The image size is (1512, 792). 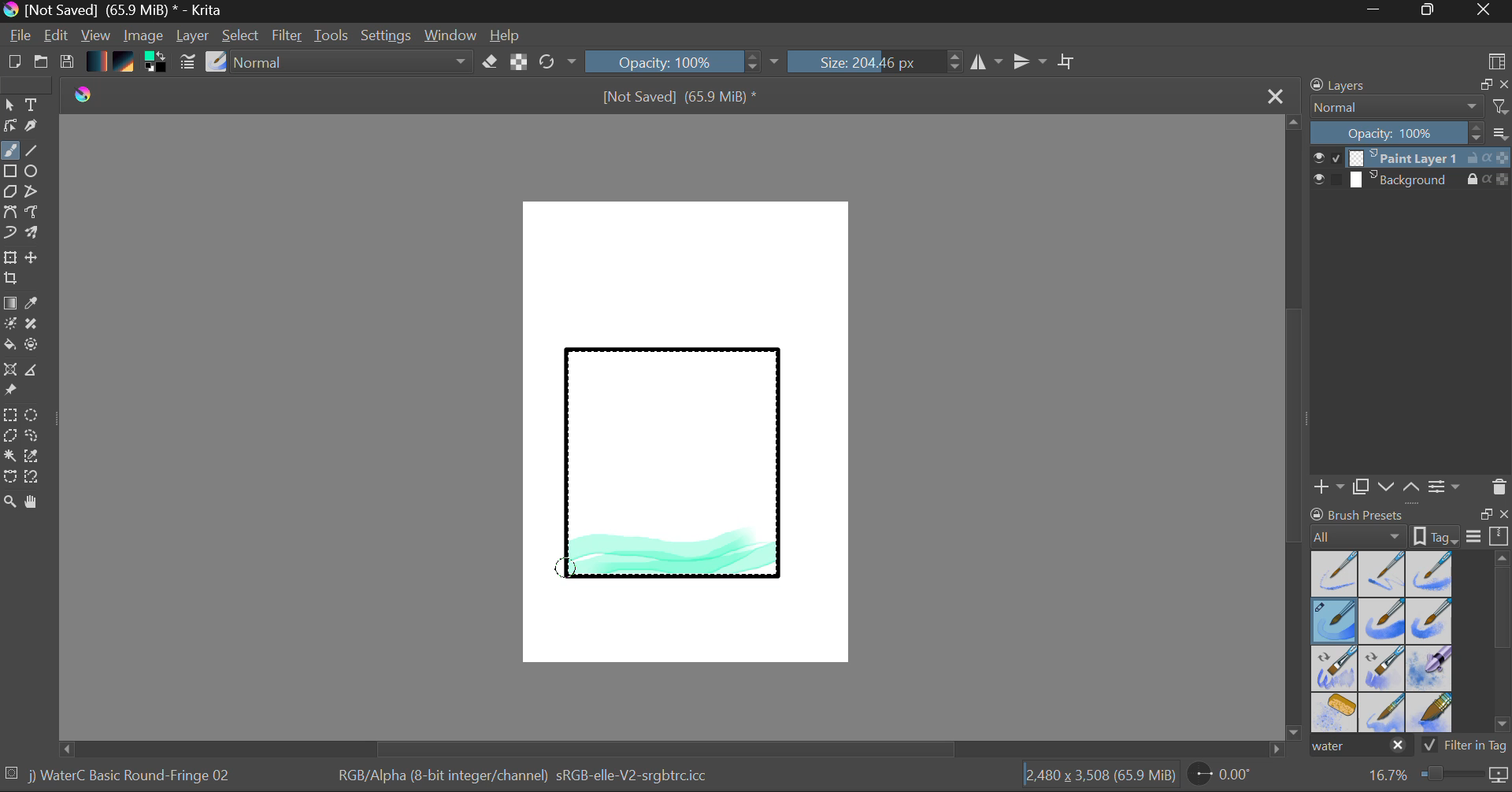 What do you see at coordinates (66, 63) in the screenshot?
I see `Save` at bounding box center [66, 63].